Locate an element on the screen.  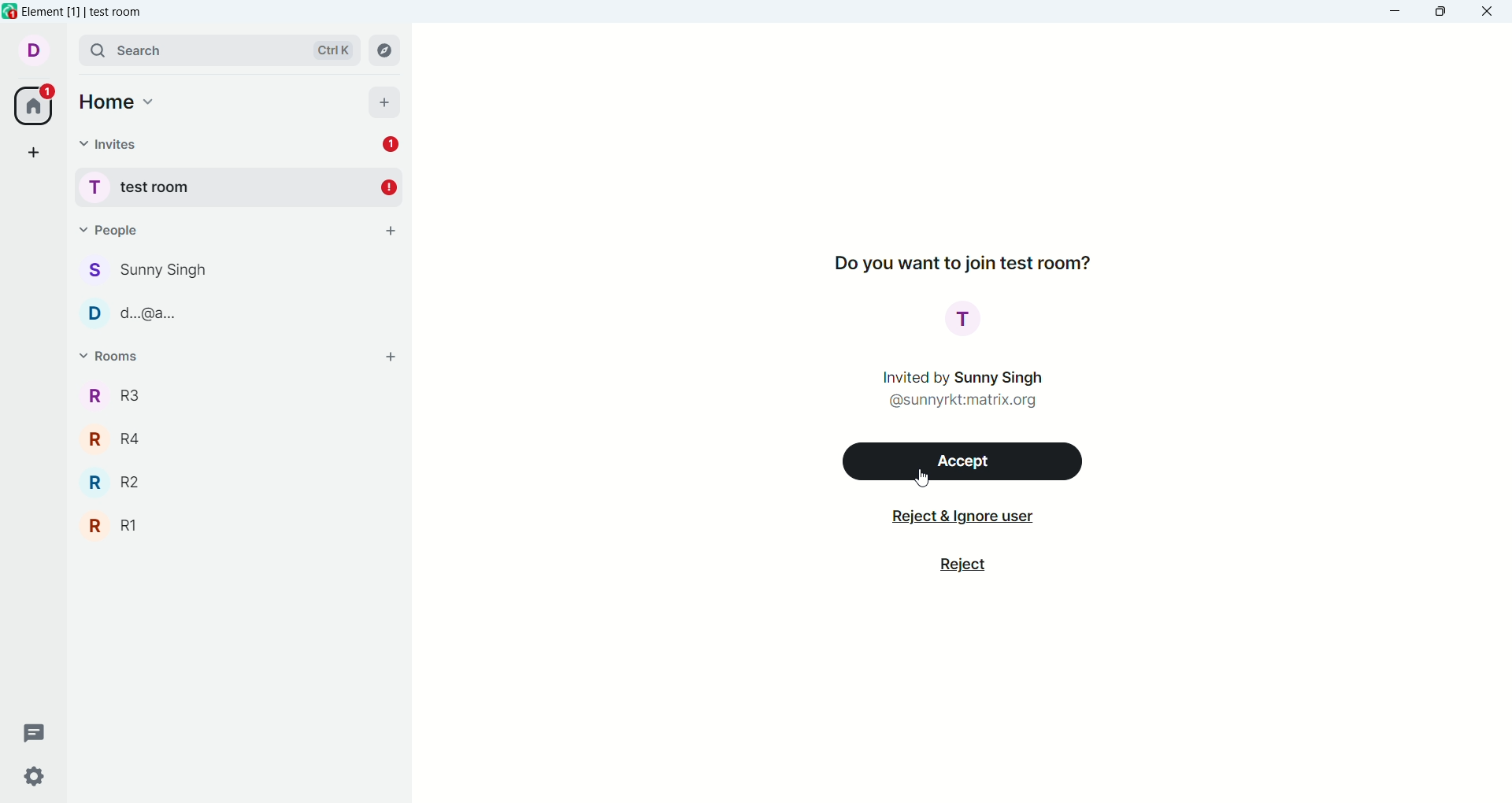
people is located at coordinates (107, 227).